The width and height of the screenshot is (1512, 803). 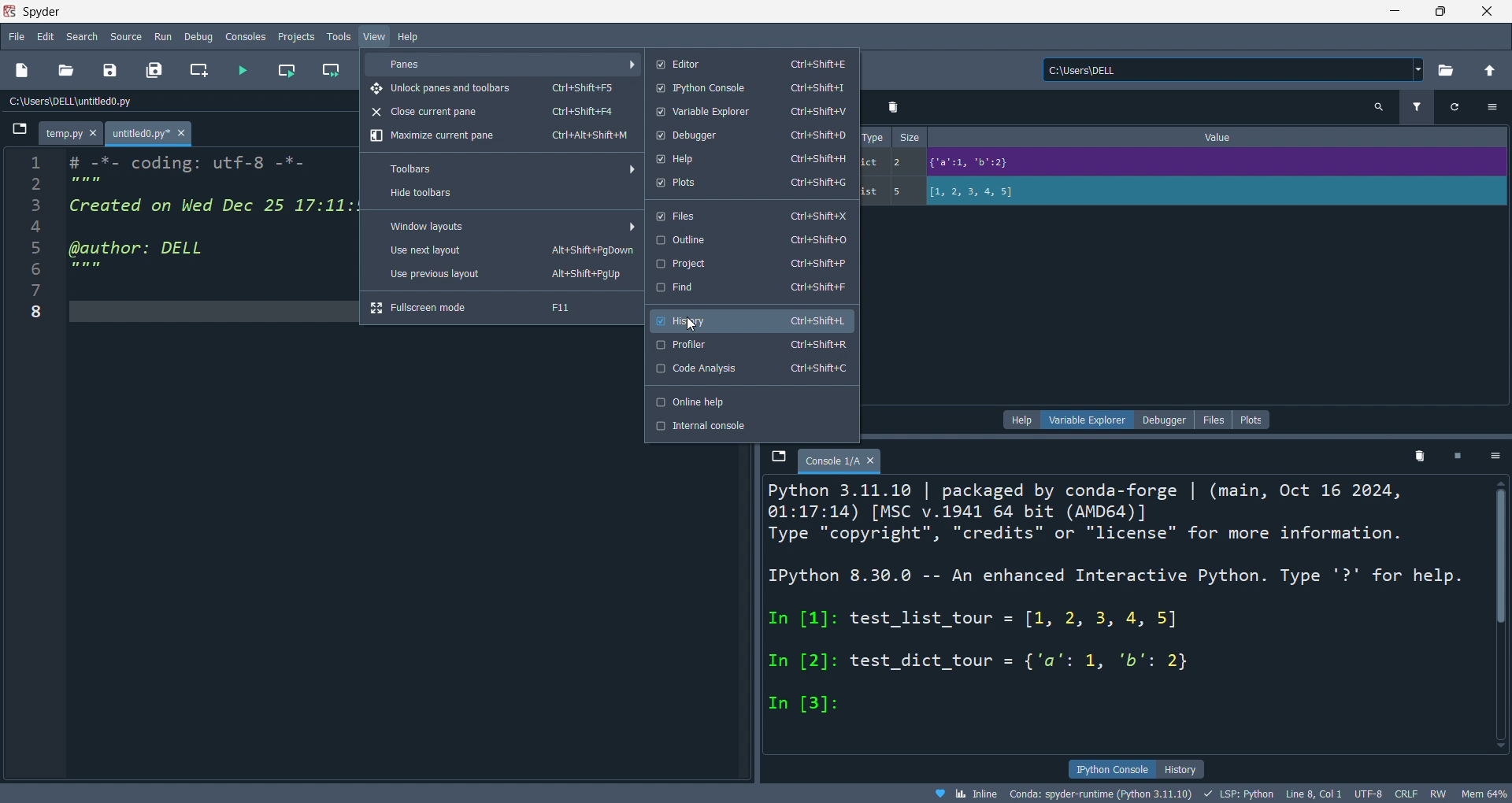 What do you see at coordinates (1379, 108) in the screenshot?
I see `search` at bounding box center [1379, 108].